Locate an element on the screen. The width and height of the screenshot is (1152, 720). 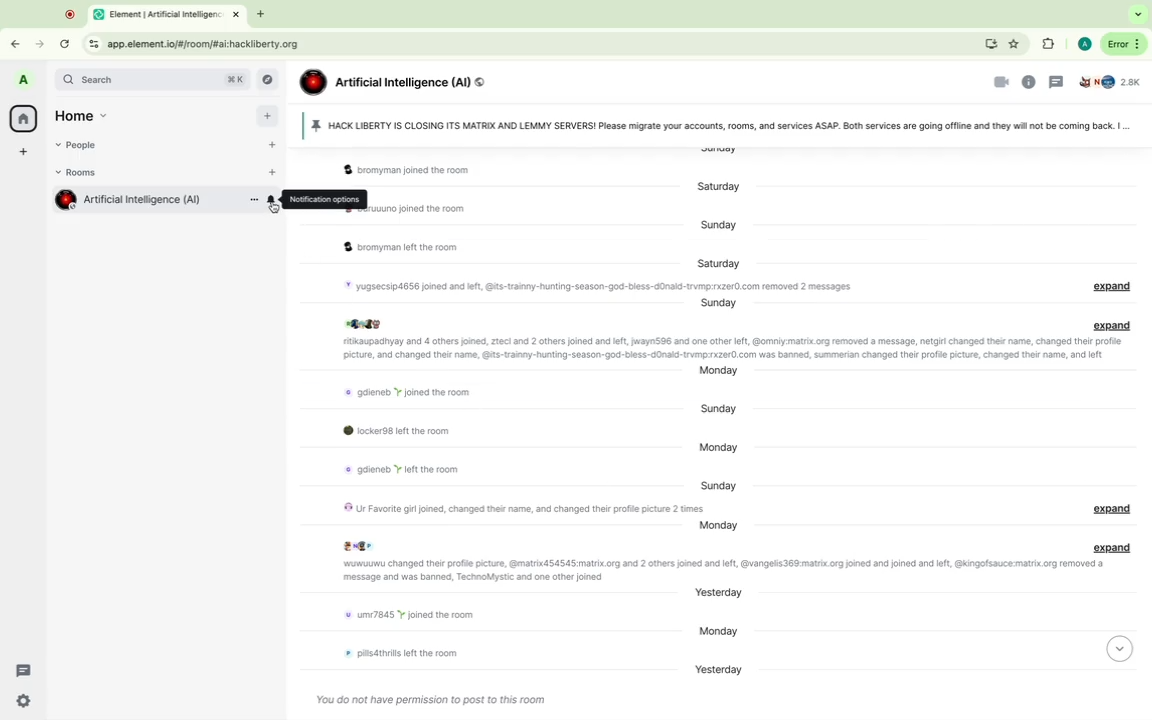
Notification option is located at coordinates (271, 200).